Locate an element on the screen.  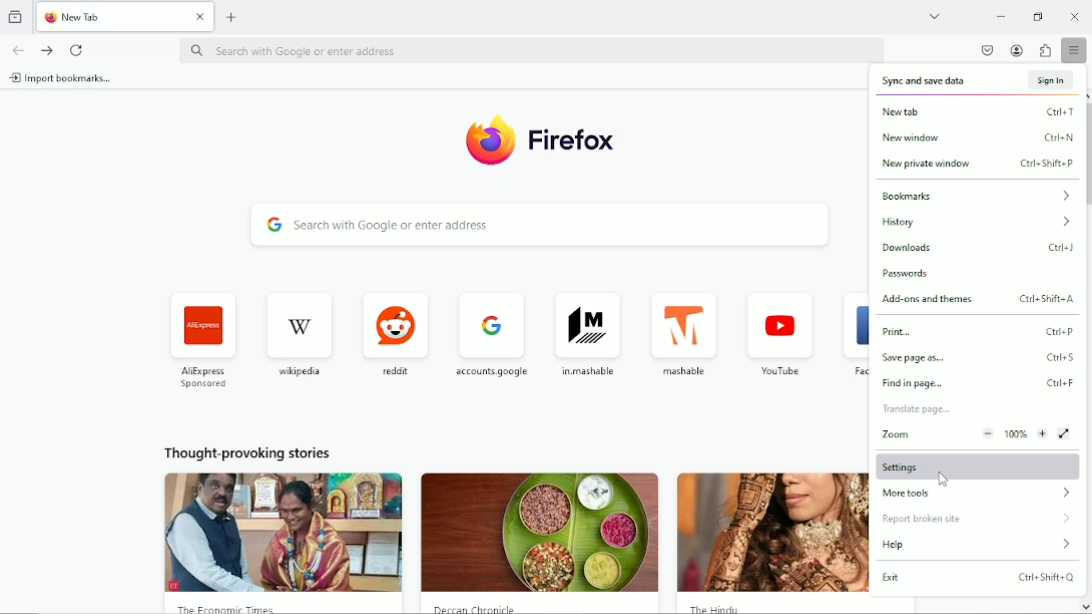
the hindu image is located at coordinates (772, 532).